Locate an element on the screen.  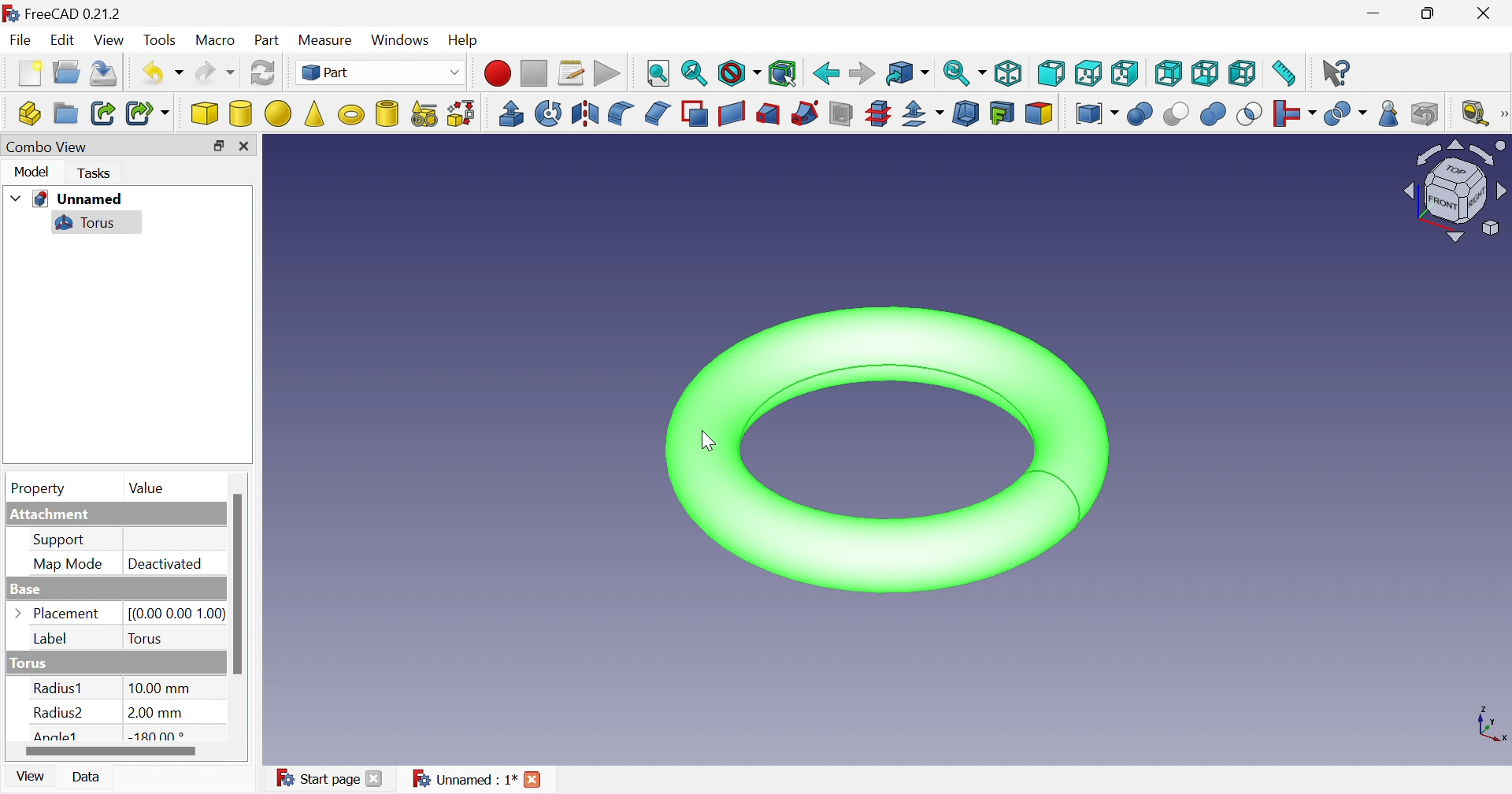
[(0.00 0.00 1.00) is located at coordinates (173, 611).